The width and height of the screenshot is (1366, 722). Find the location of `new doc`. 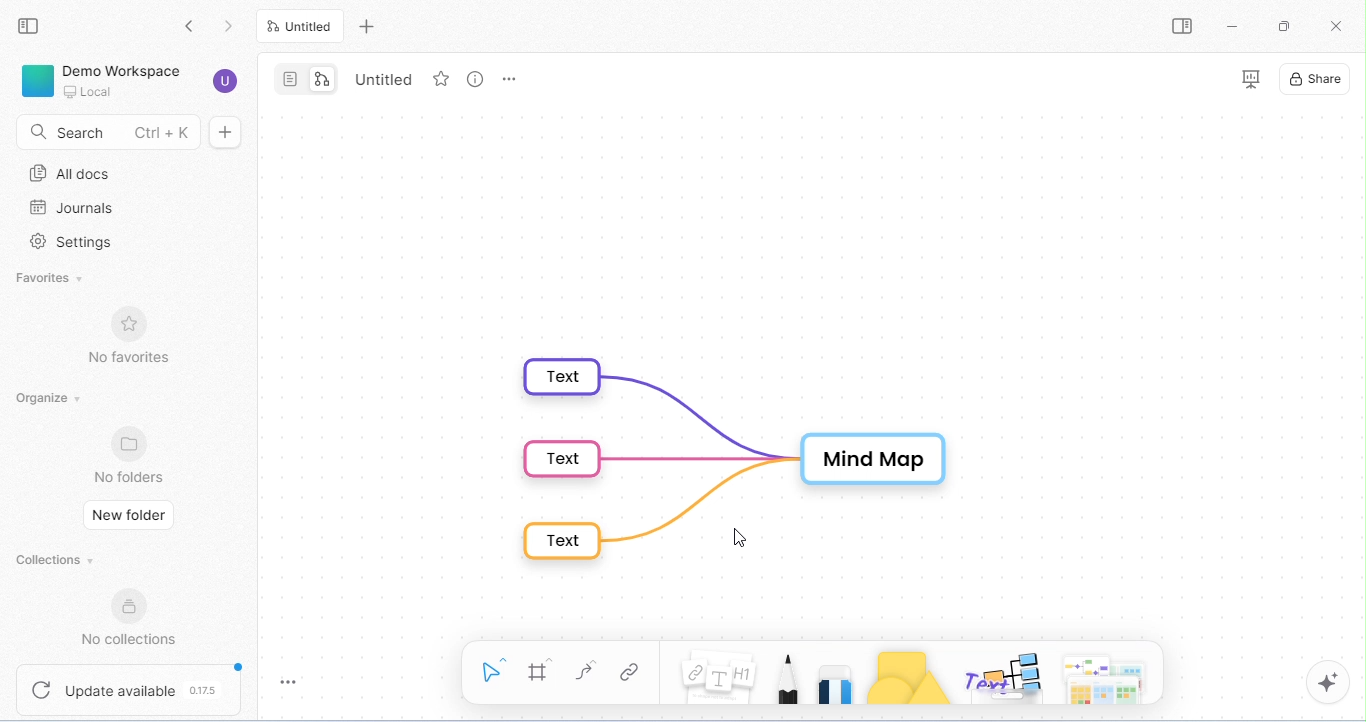

new doc is located at coordinates (227, 132).